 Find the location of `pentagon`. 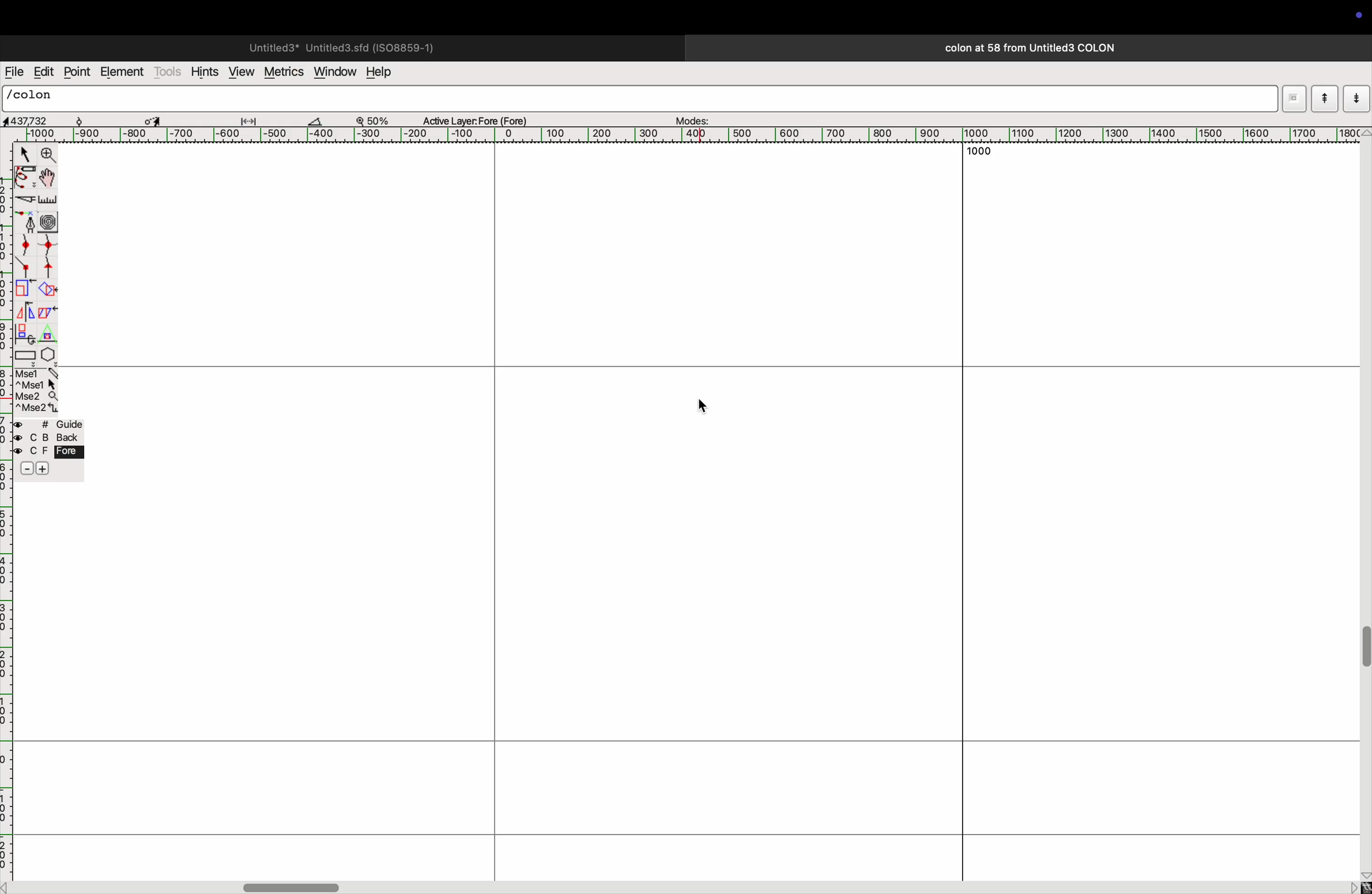

pentagon is located at coordinates (48, 345).